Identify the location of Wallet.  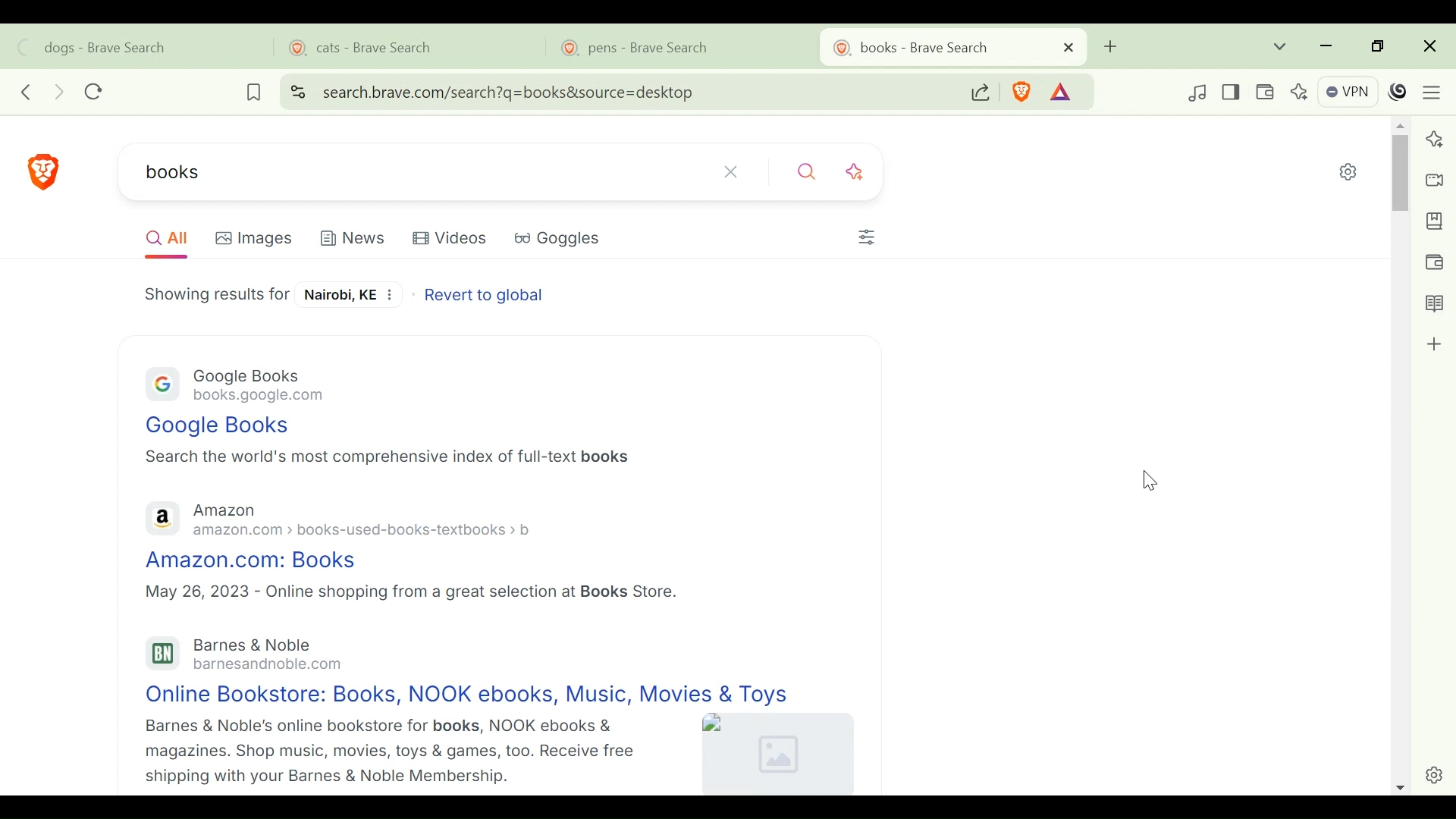
(1436, 261).